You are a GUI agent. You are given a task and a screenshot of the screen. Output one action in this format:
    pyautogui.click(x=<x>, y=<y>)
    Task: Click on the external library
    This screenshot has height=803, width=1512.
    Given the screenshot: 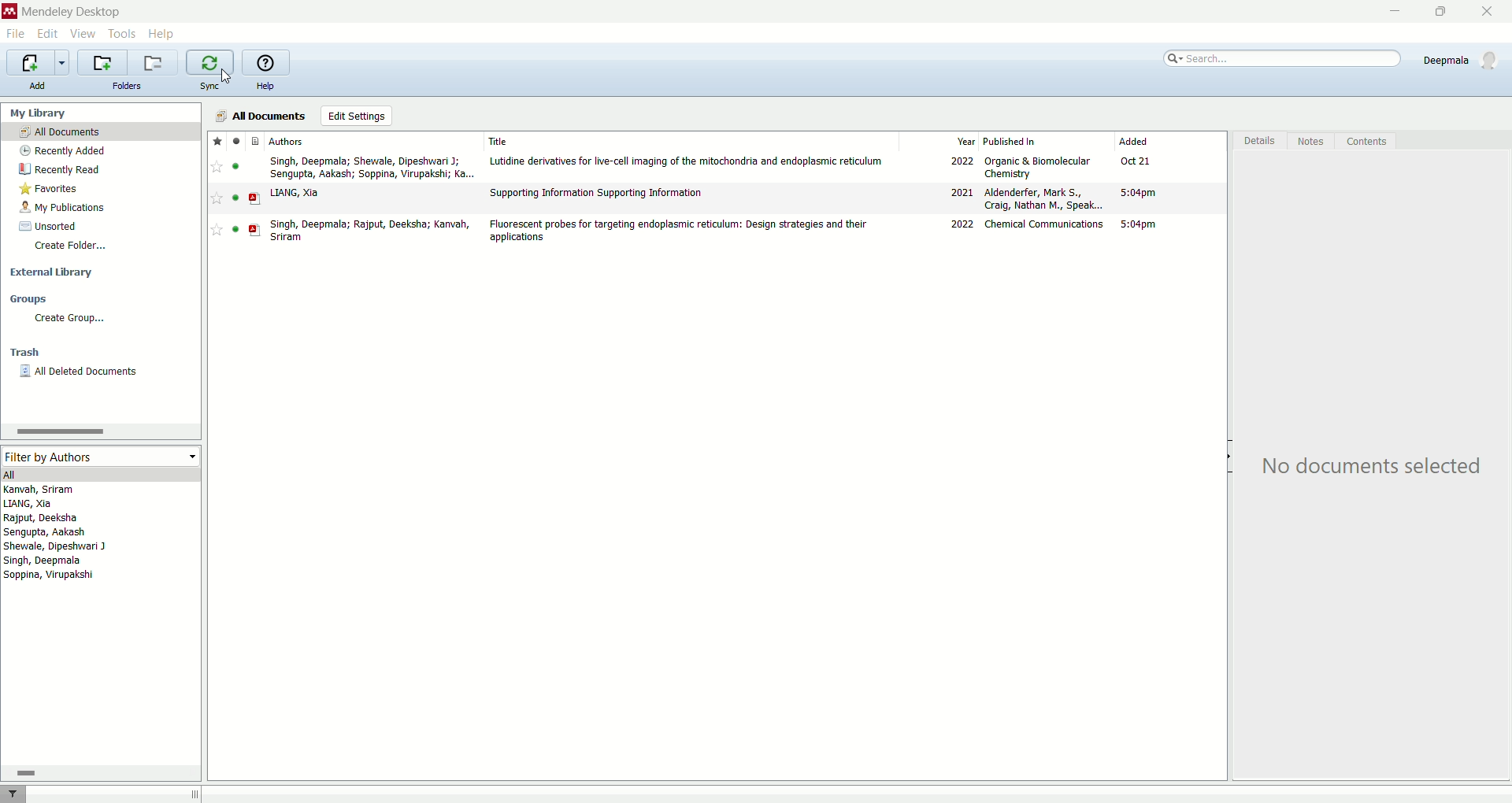 What is the action you would take?
    pyautogui.click(x=52, y=275)
    